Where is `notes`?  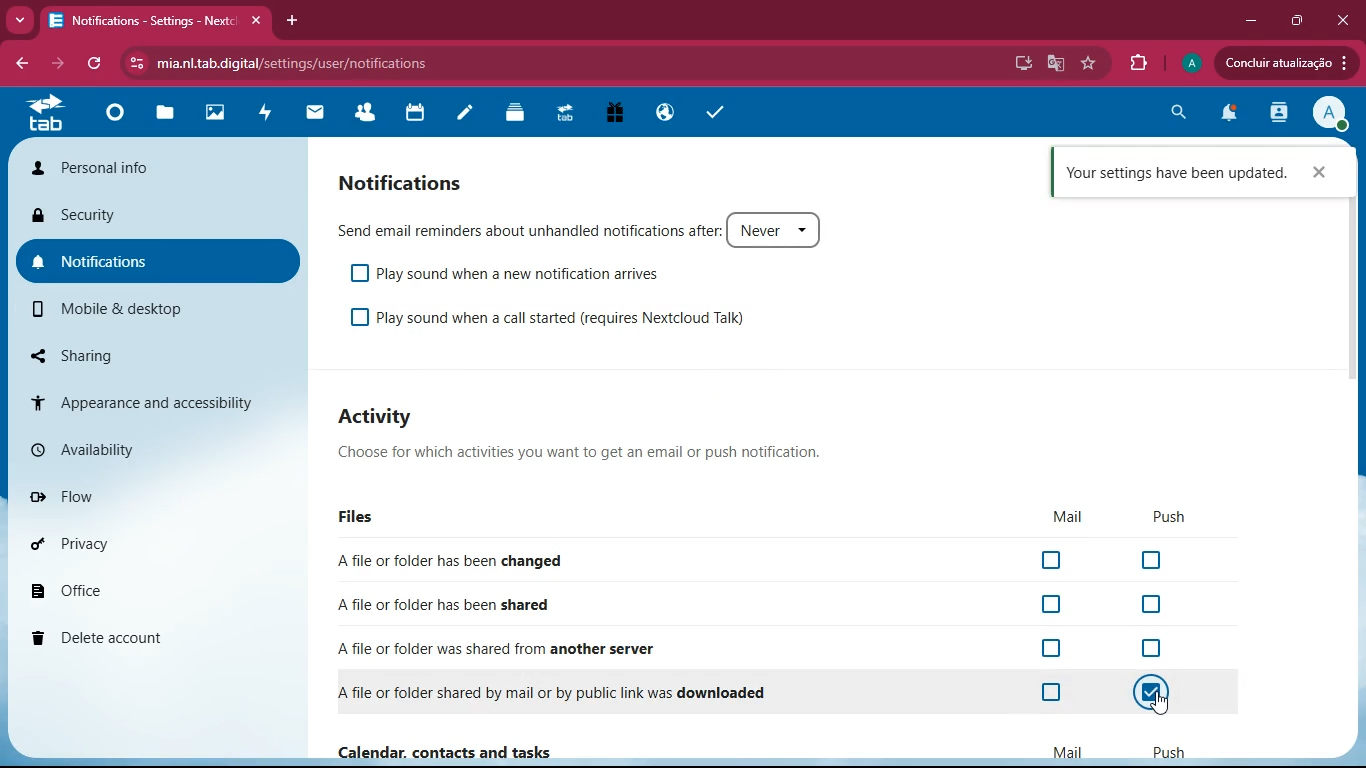 notes is located at coordinates (465, 116).